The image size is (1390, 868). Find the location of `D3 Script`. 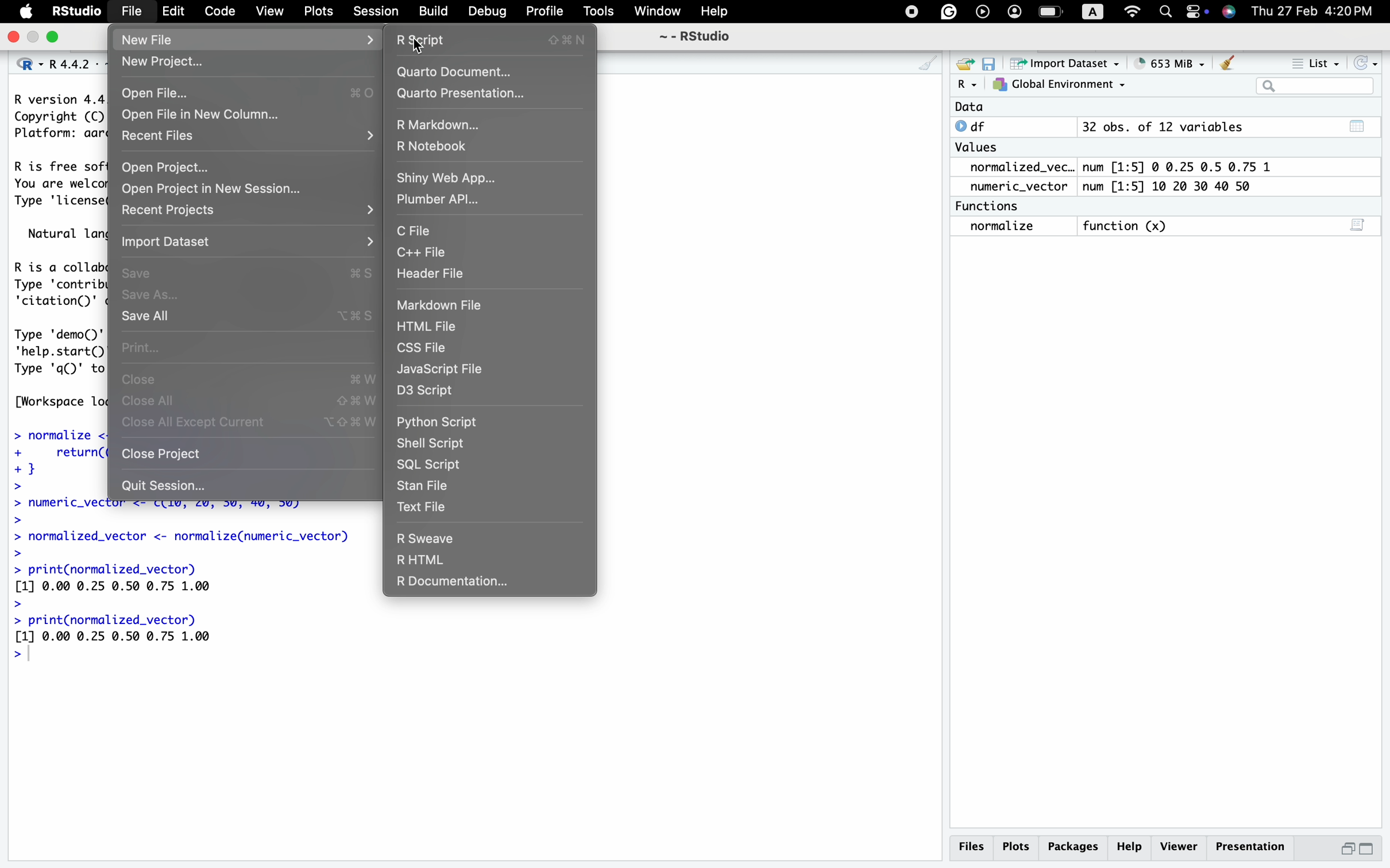

D3 Script is located at coordinates (427, 394).